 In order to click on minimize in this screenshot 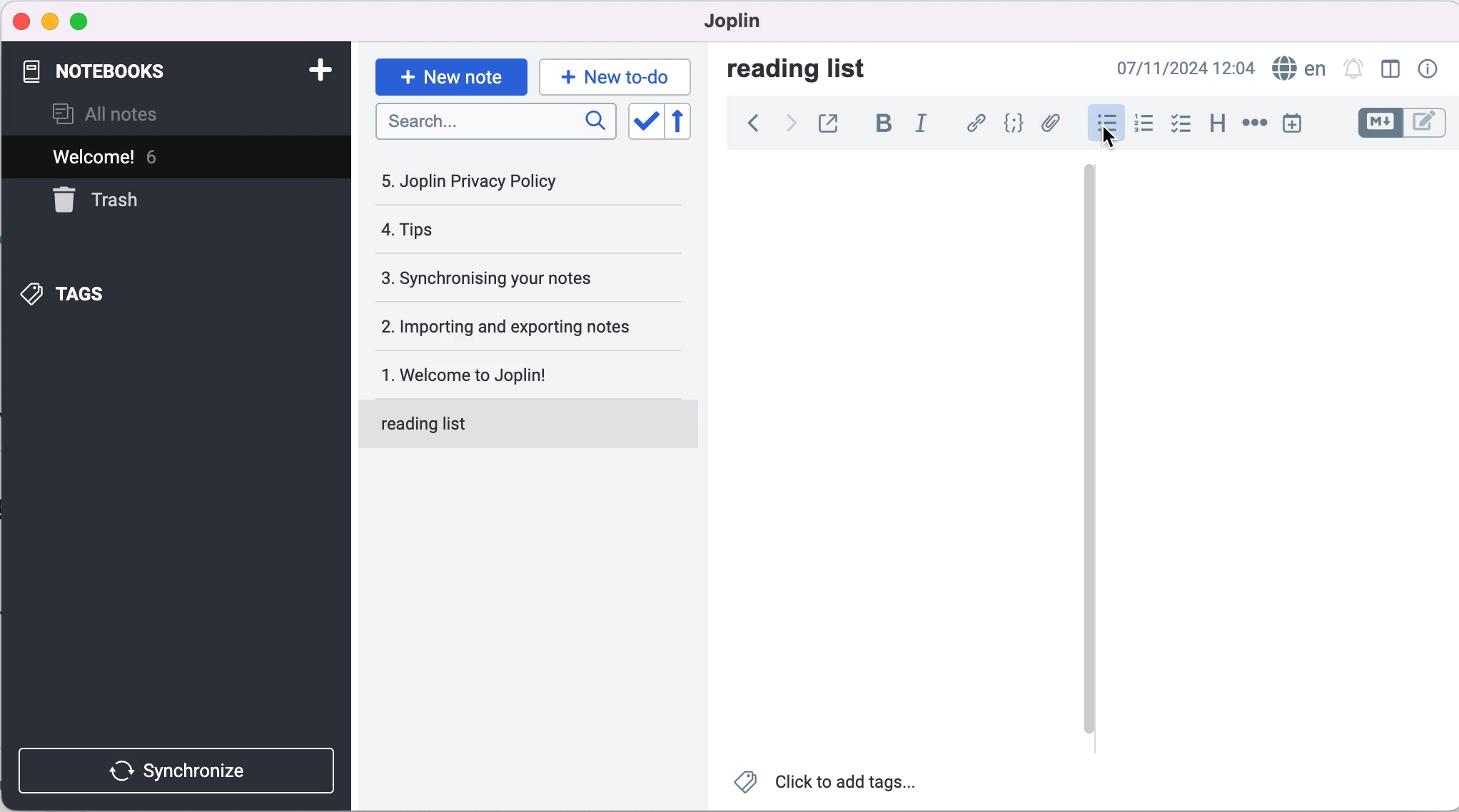, I will do `click(50, 21)`.